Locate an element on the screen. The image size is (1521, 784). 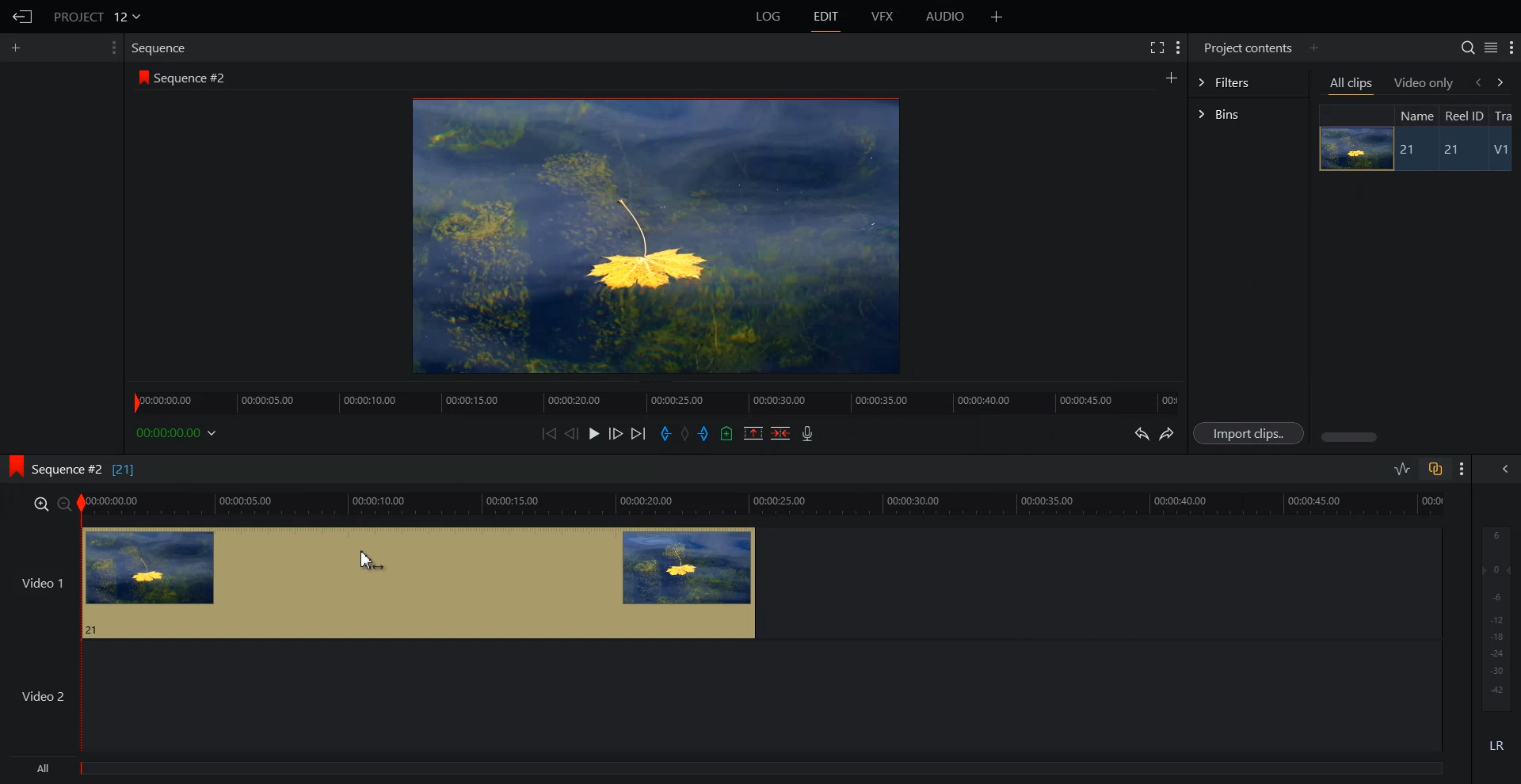
logo is located at coordinates (140, 77).